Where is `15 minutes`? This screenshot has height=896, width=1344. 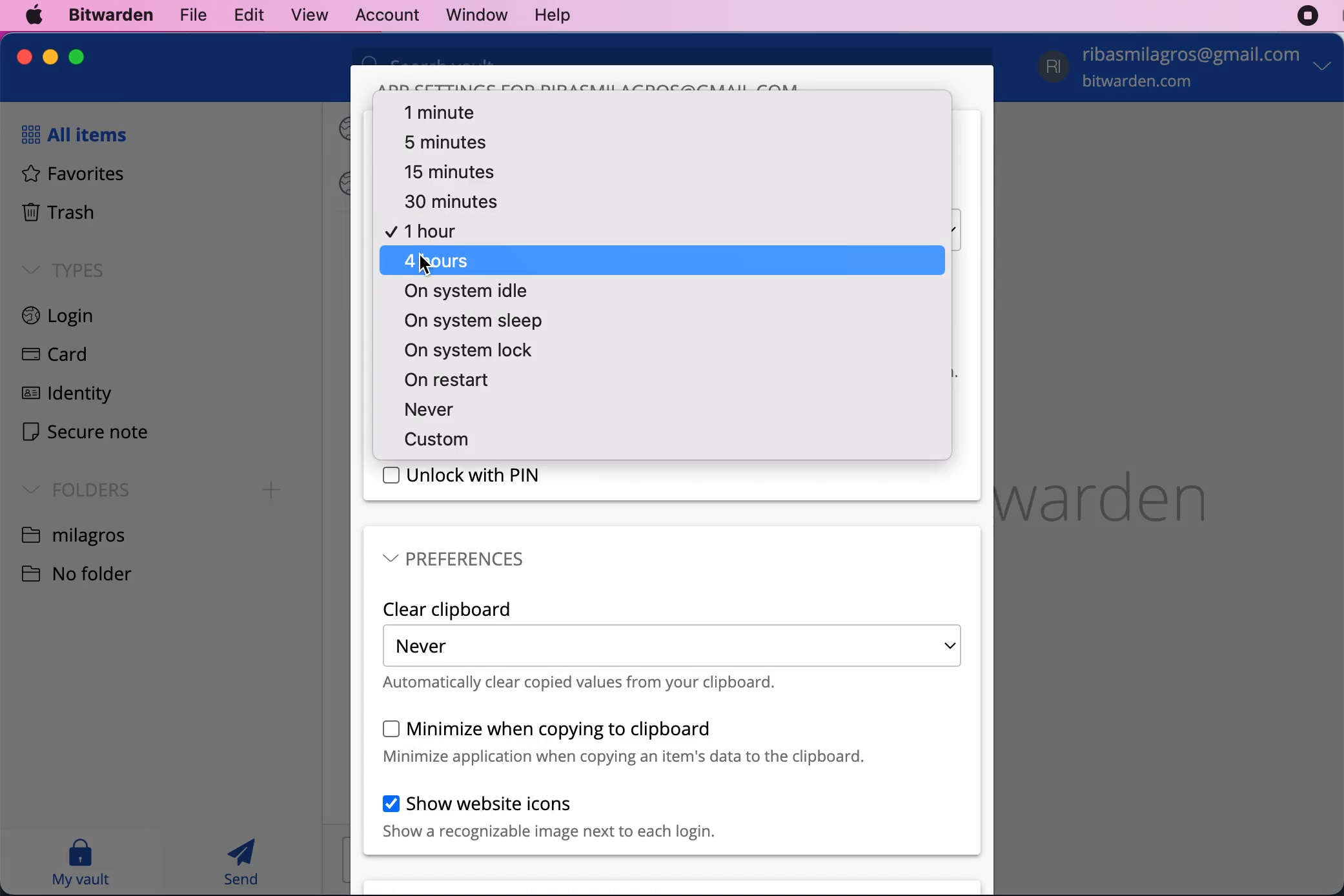
15 minutes is located at coordinates (441, 170).